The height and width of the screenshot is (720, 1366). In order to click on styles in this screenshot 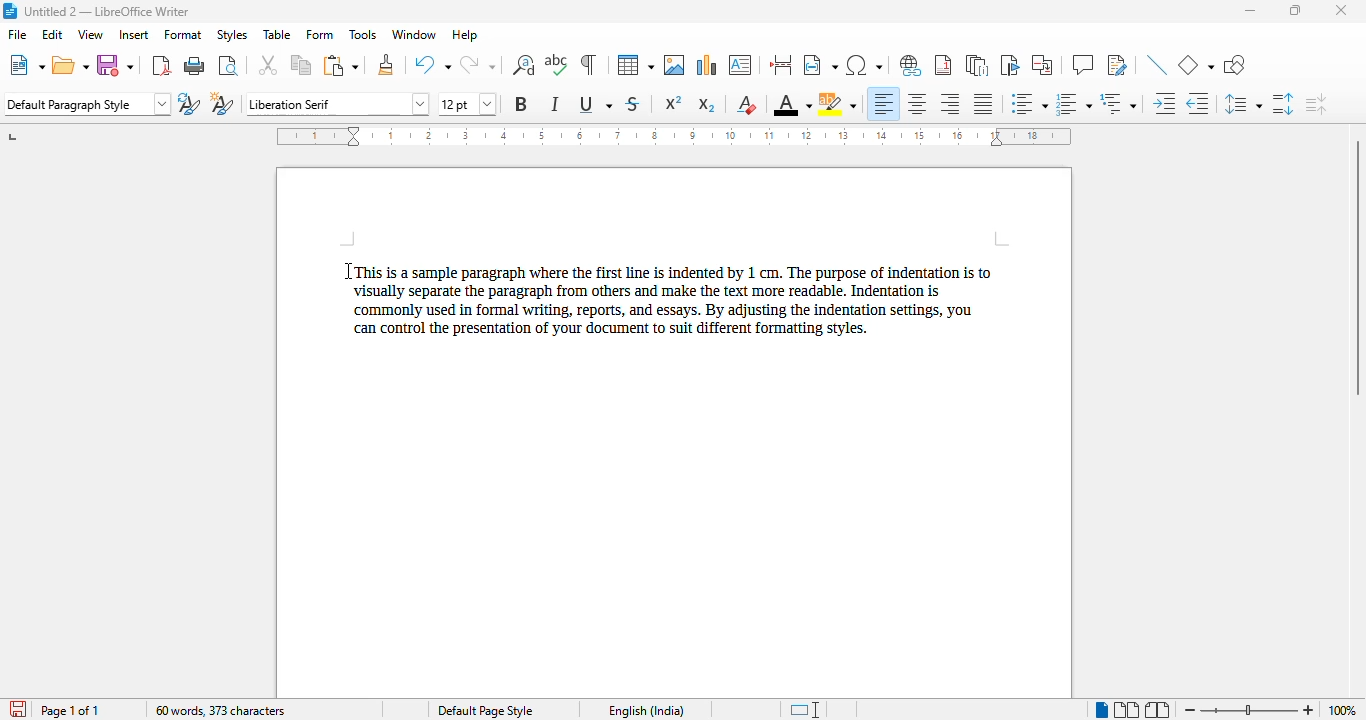, I will do `click(231, 34)`.